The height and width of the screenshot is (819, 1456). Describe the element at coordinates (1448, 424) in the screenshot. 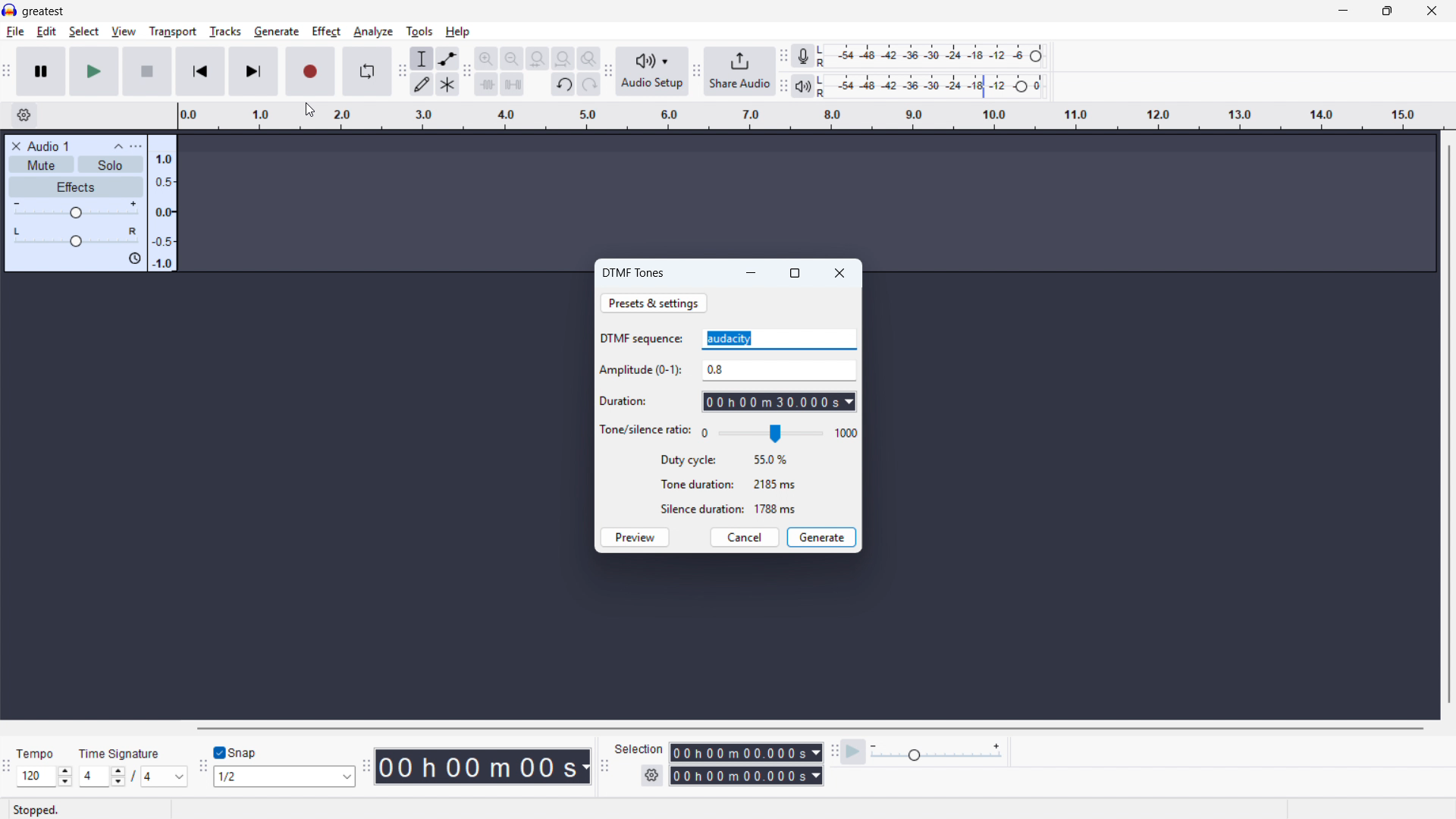

I see `Vertical scroll bar ` at that location.